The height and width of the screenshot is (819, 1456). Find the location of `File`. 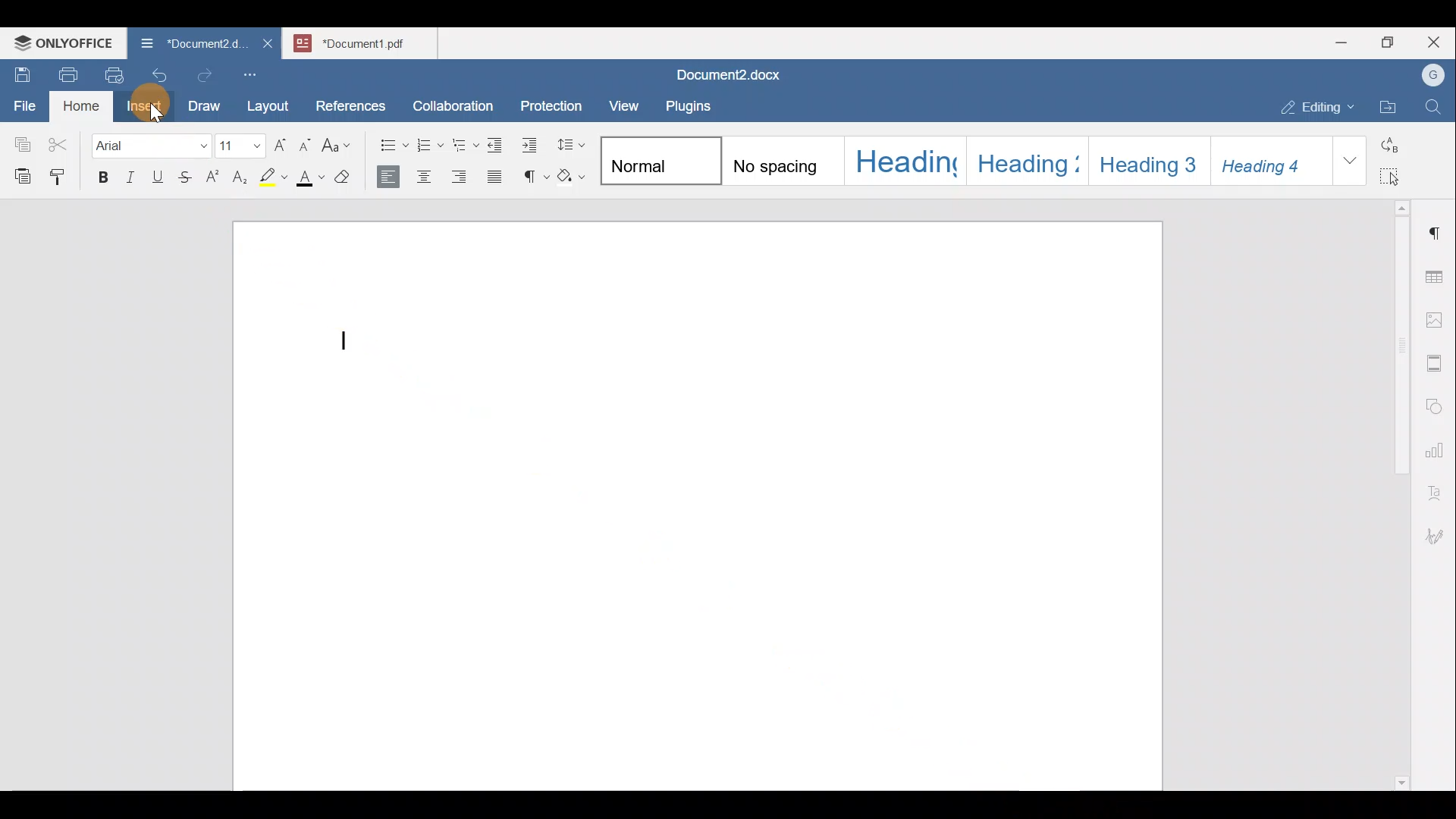

File is located at coordinates (26, 105).